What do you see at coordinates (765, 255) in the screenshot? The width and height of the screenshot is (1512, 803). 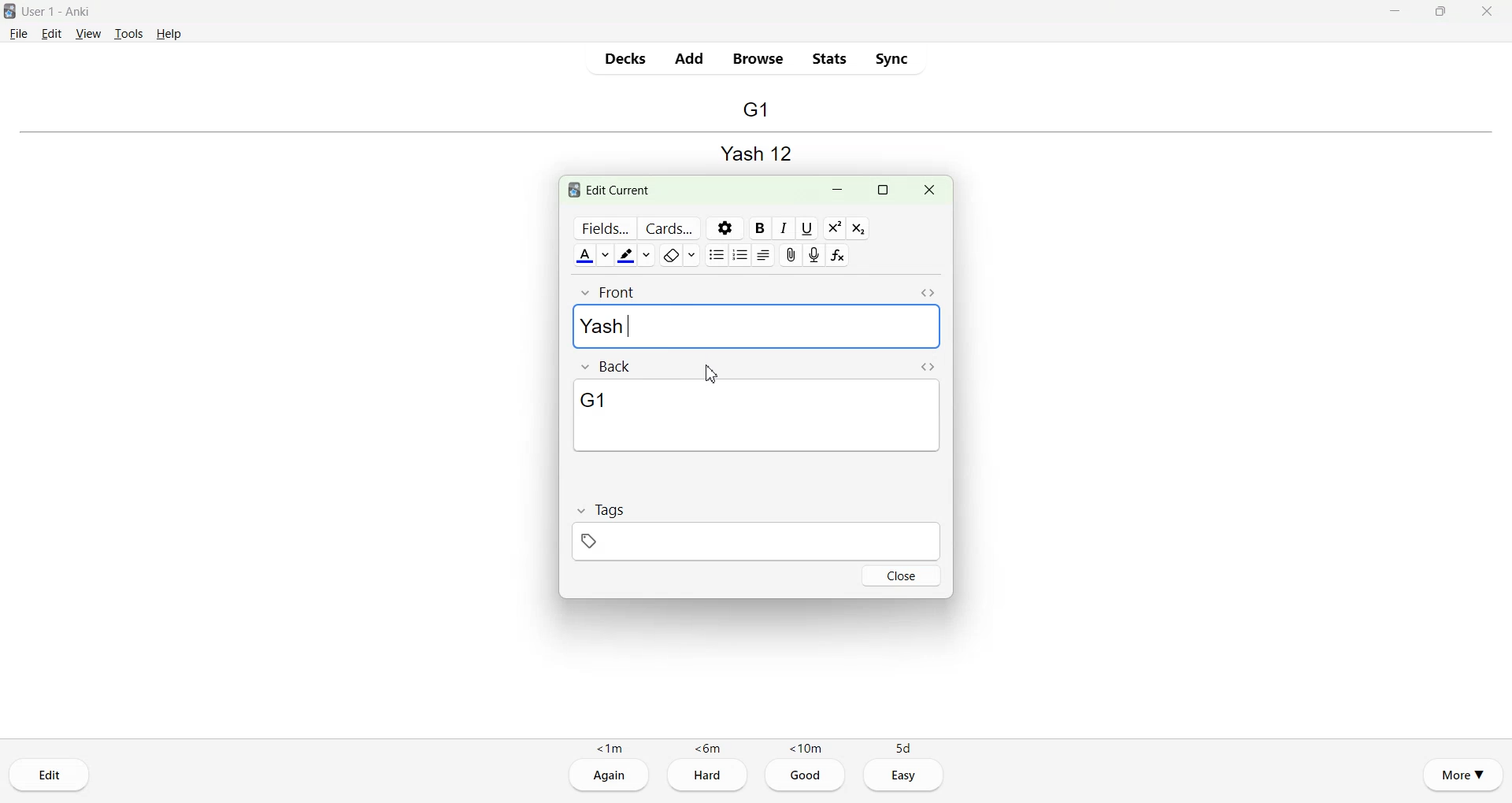 I see `Alignment` at bounding box center [765, 255].